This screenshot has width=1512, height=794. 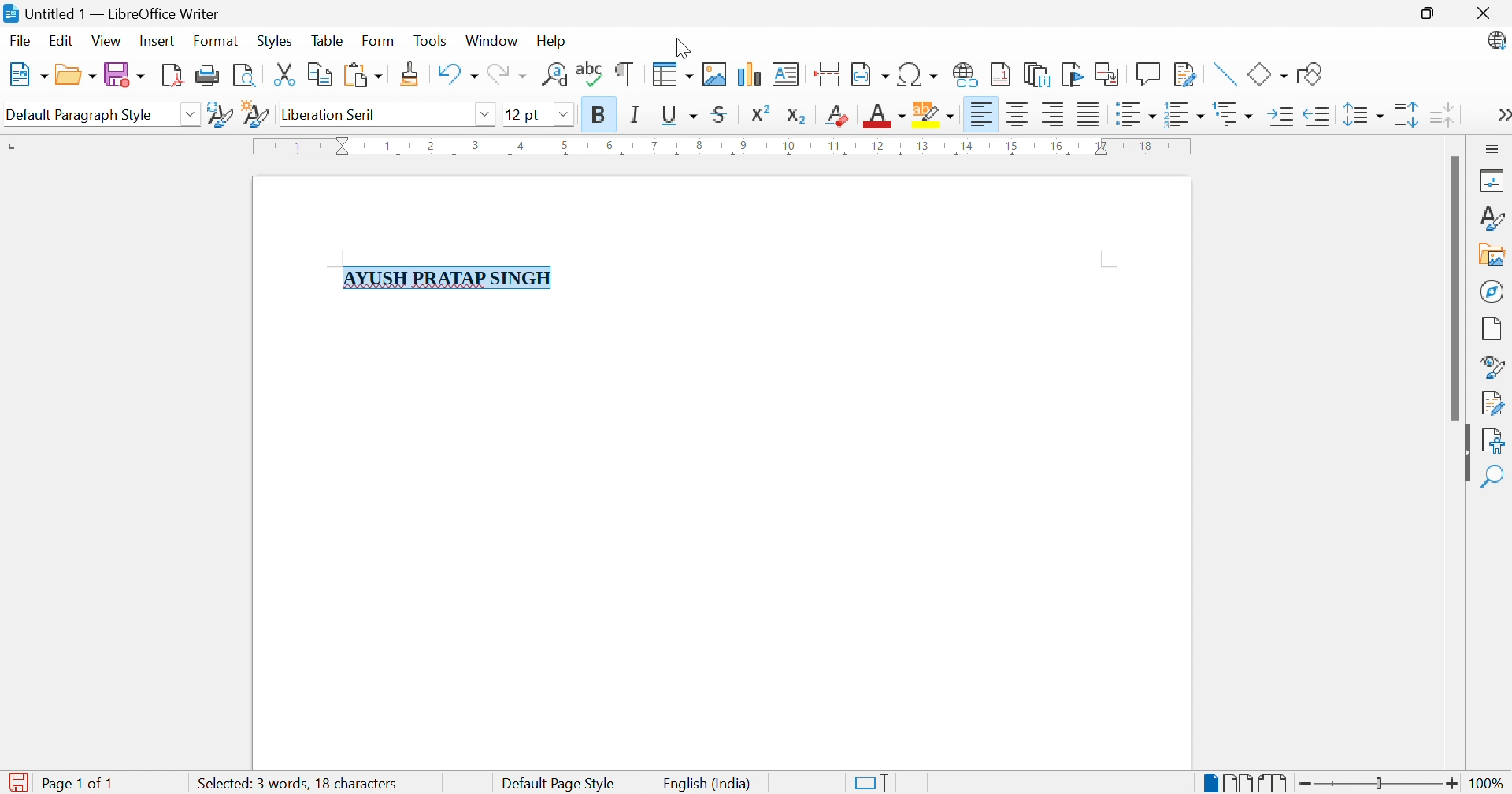 What do you see at coordinates (1492, 328) in the screenshot?
I see `Page` at bounding box center [1492, 328].